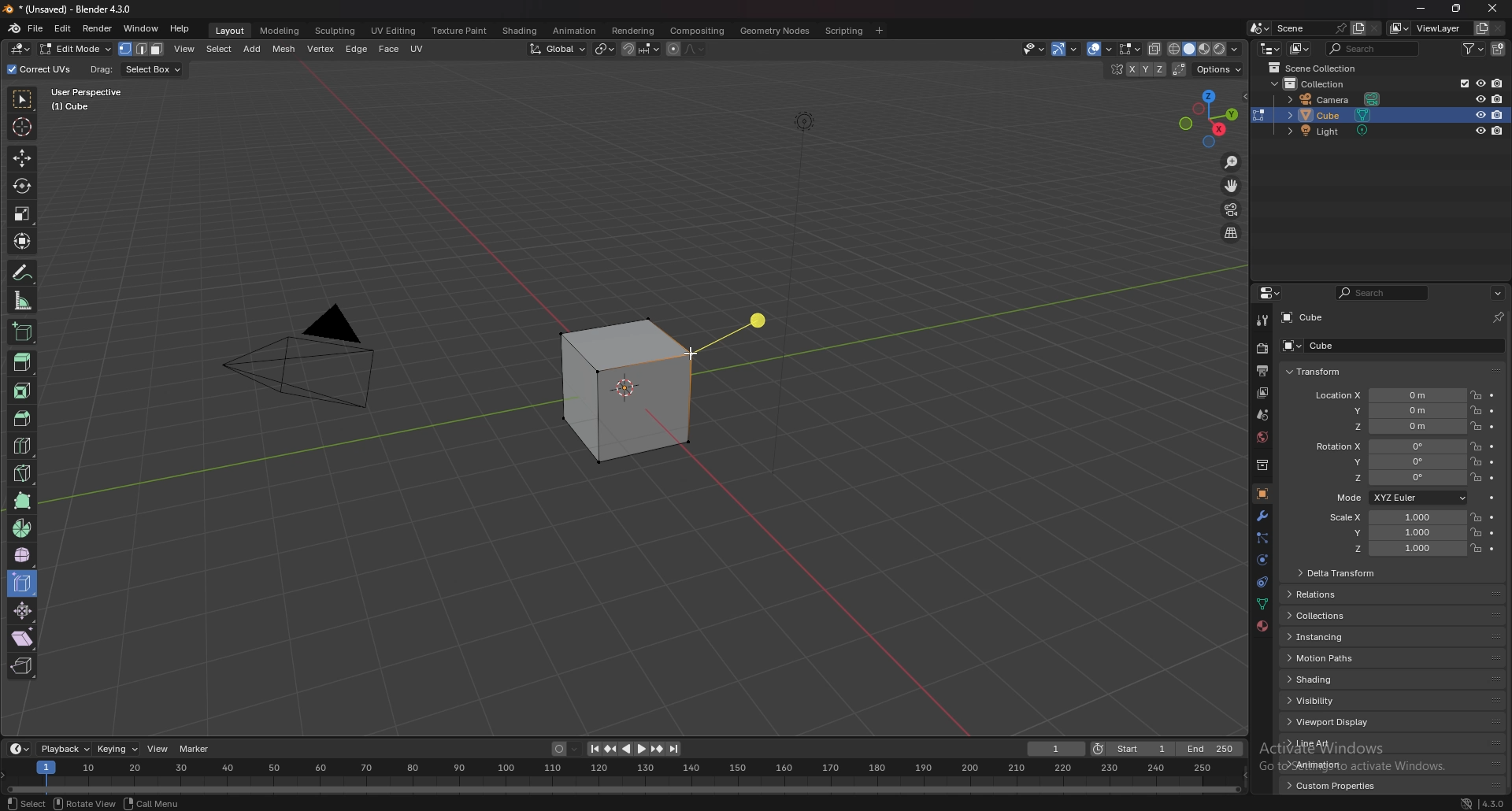  Describe the element at coordinates (23, 610) in the screenshot. I see `shrink` at that location.